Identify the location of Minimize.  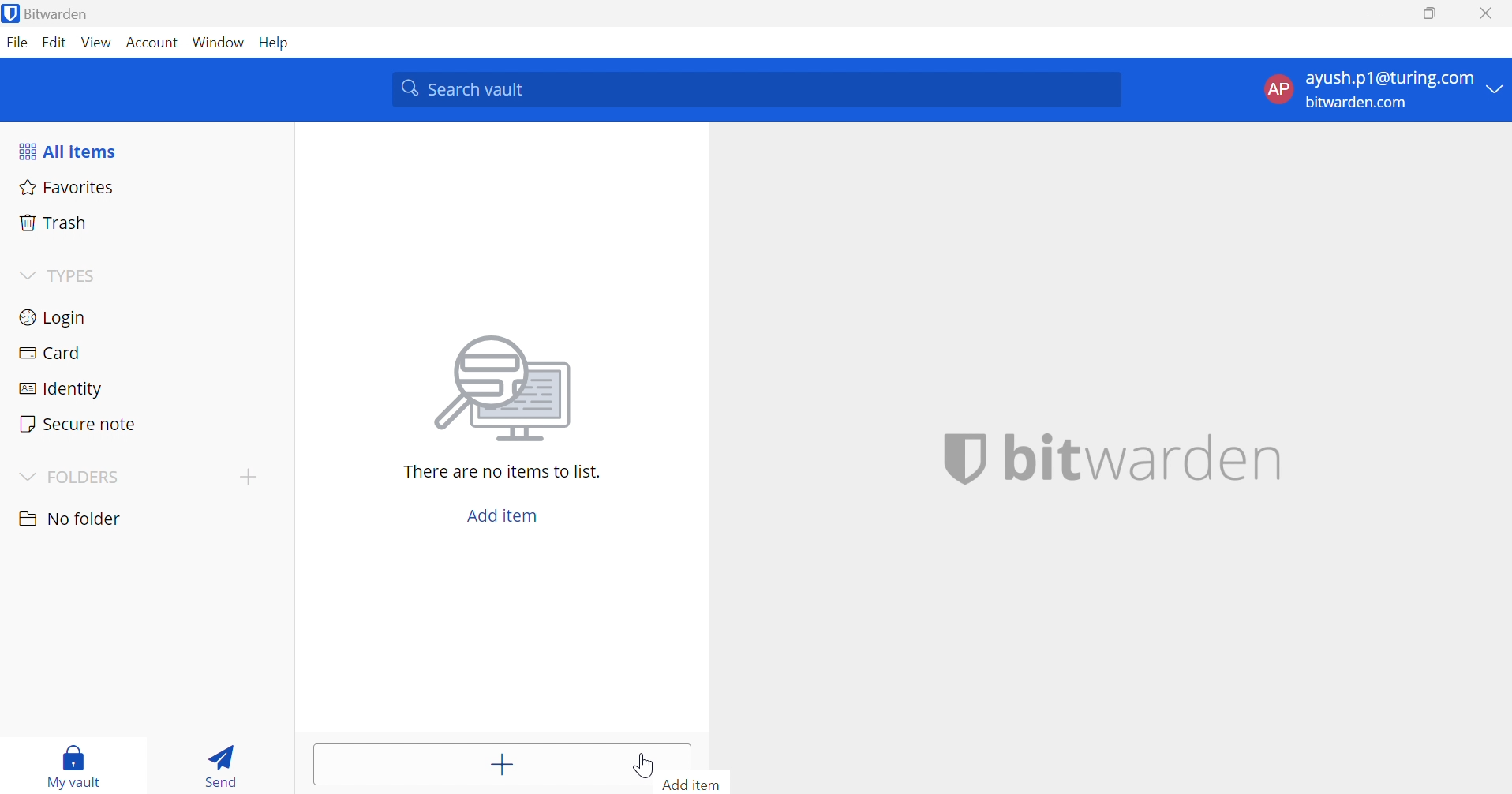
(1375, 15).